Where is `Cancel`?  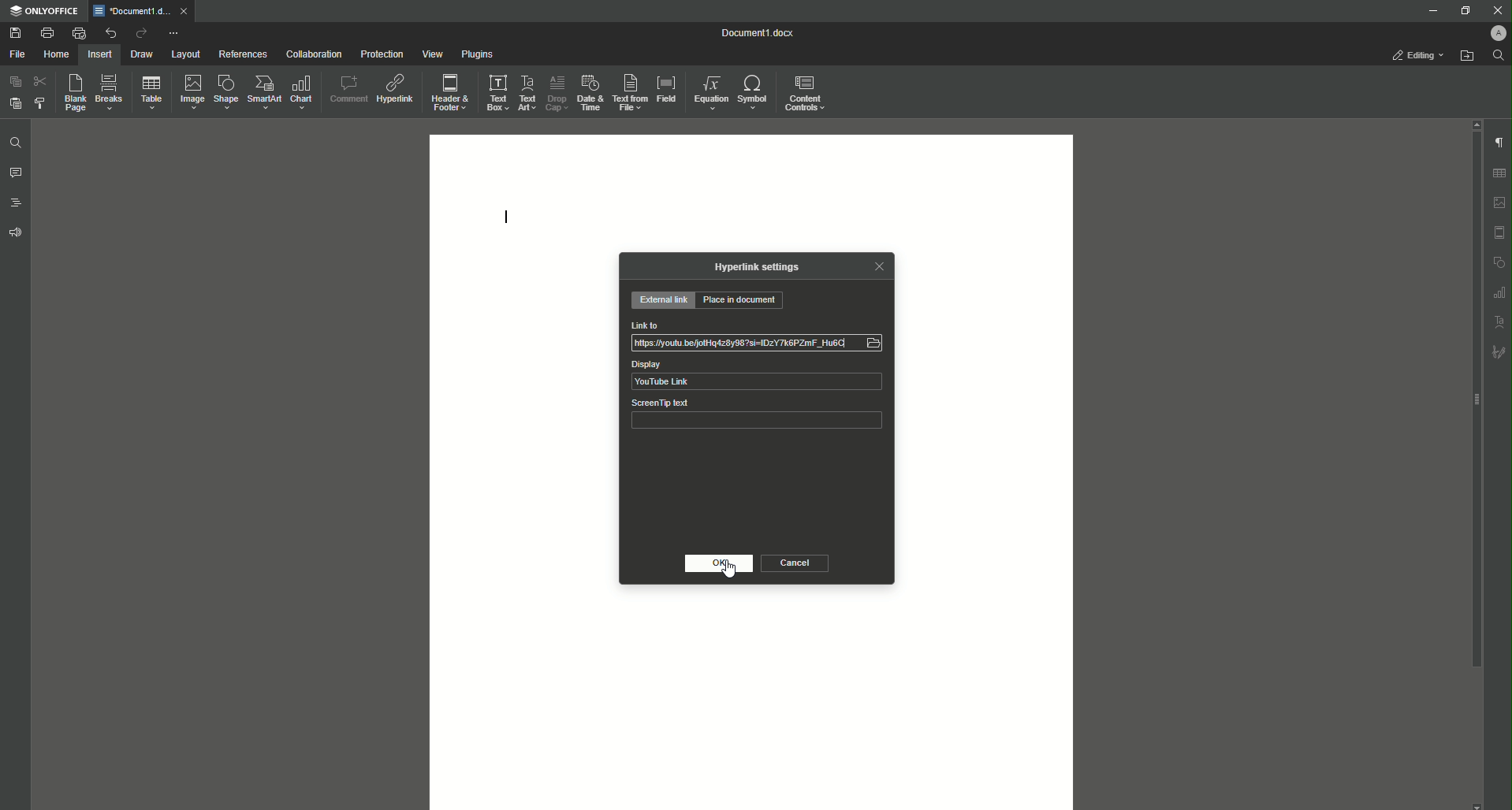 Cancel is located at coordinates (799, 563).